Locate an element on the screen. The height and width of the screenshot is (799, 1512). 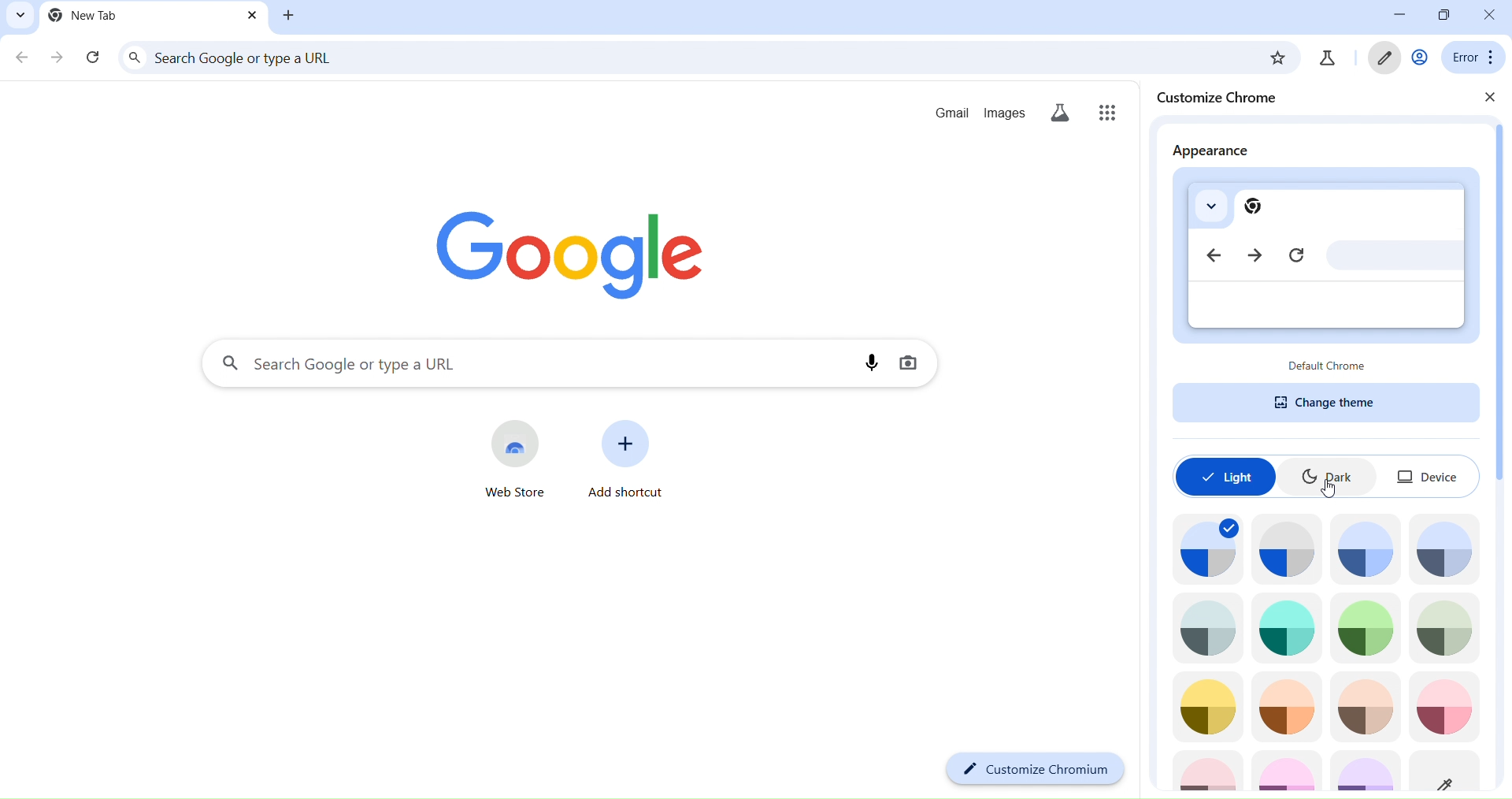
image is located at coordinates (603, 255).